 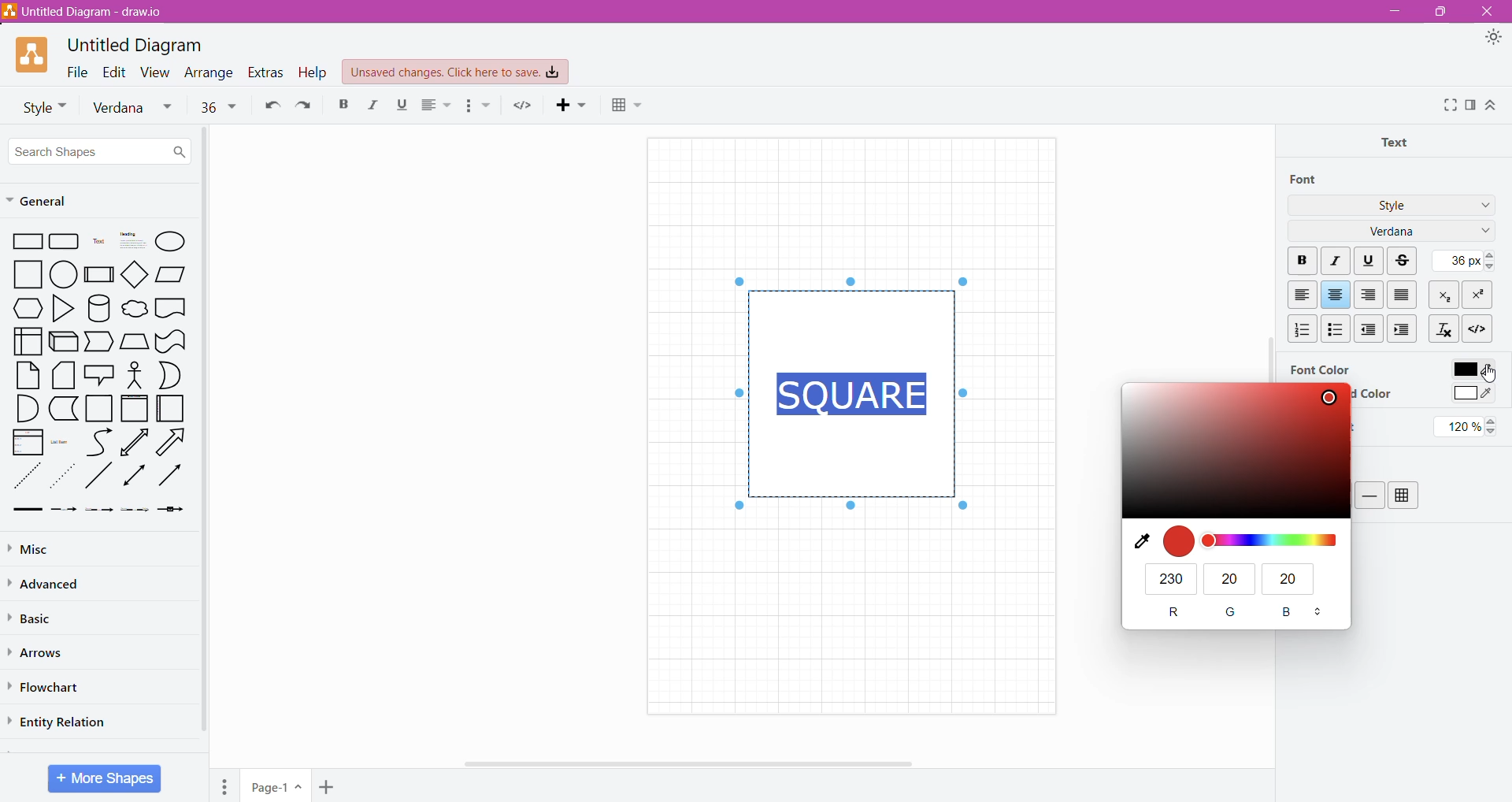 I want to click on Bold, so click(x=1302, y=262).